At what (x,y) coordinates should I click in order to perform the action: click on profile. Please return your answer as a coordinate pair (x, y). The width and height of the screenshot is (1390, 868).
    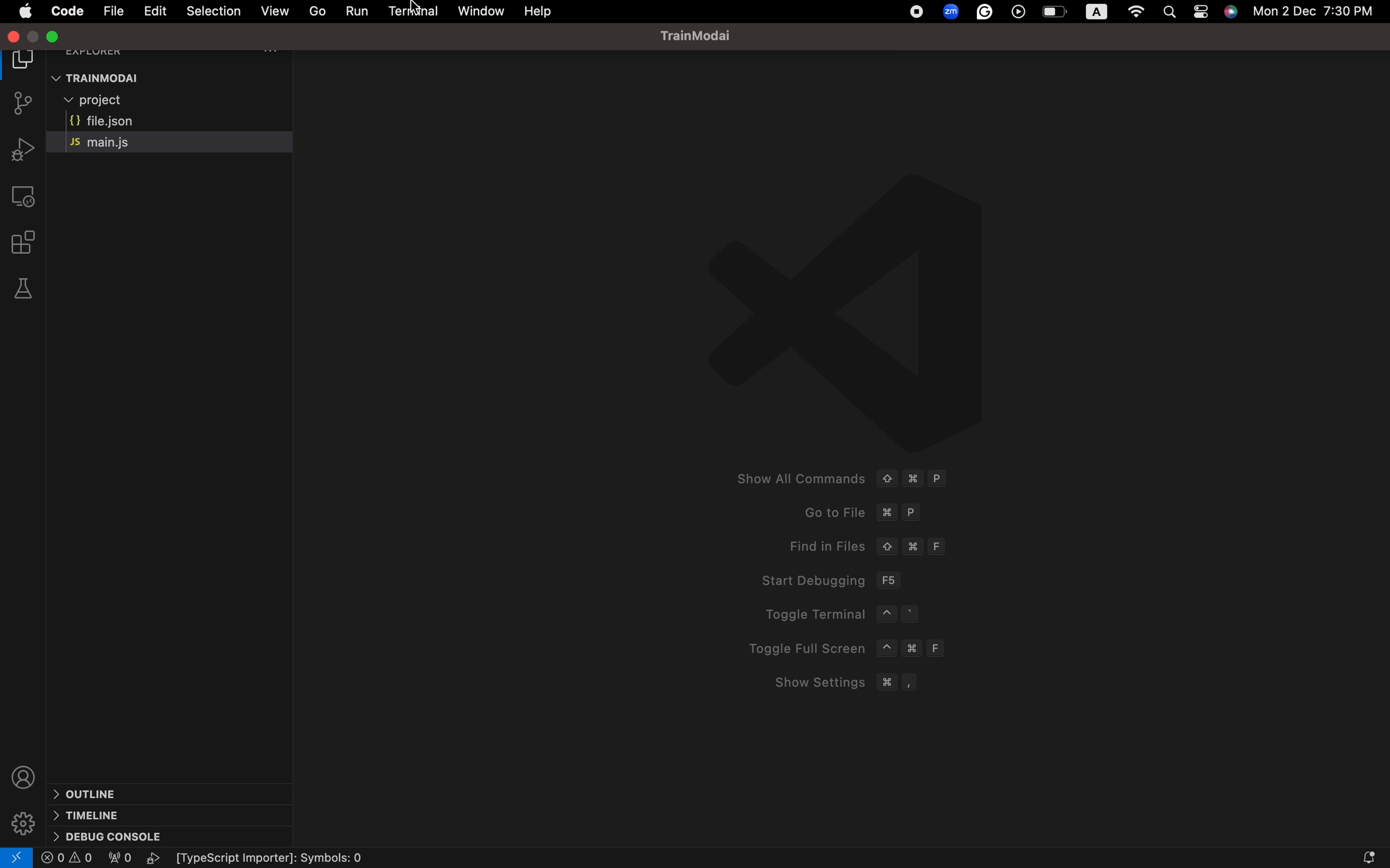
    Looking at the image, I should click on (23, 773).